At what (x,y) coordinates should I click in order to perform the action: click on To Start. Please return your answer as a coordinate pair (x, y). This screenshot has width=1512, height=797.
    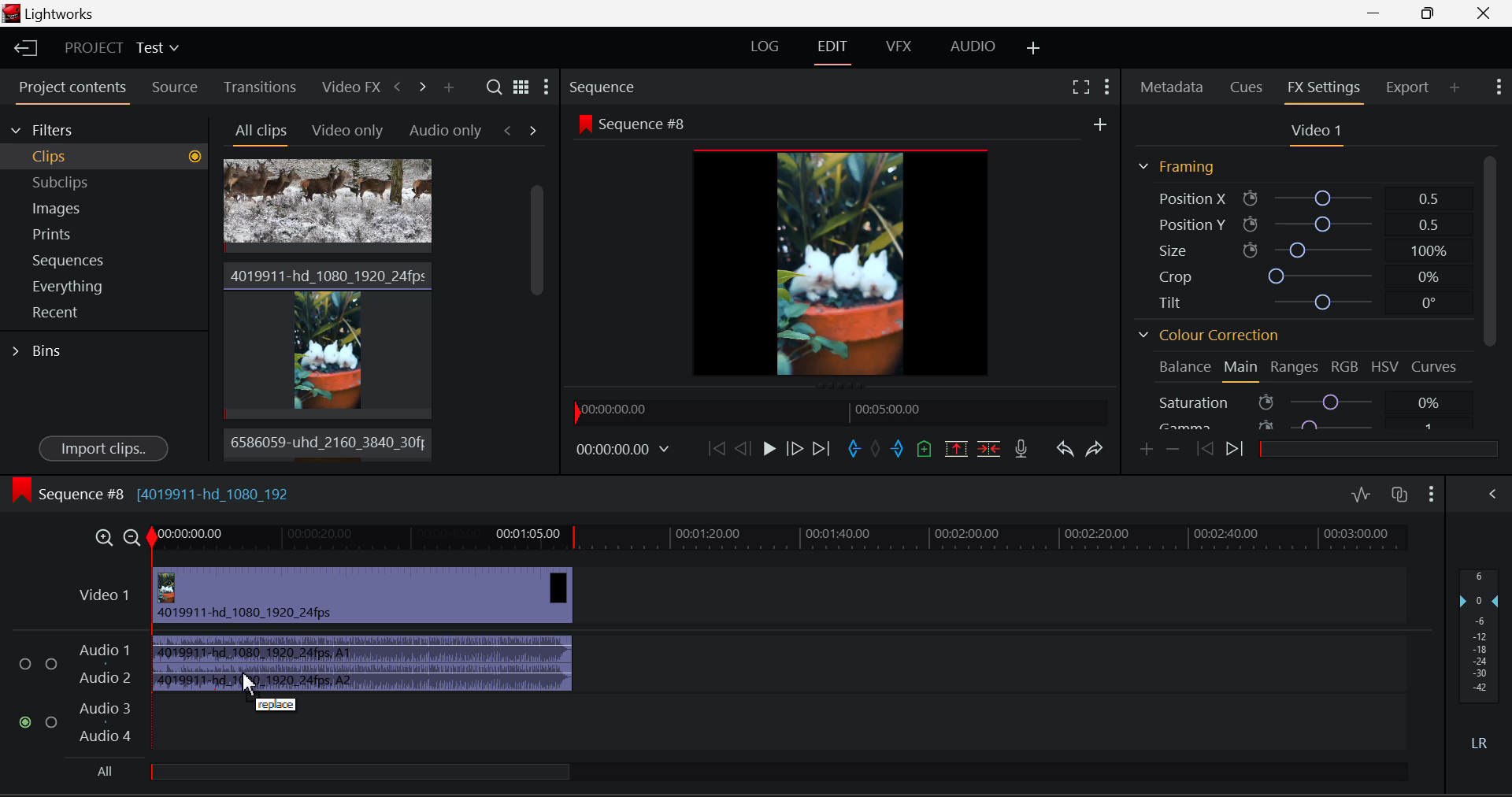
    Looking at the image, I should click on (717, 447).